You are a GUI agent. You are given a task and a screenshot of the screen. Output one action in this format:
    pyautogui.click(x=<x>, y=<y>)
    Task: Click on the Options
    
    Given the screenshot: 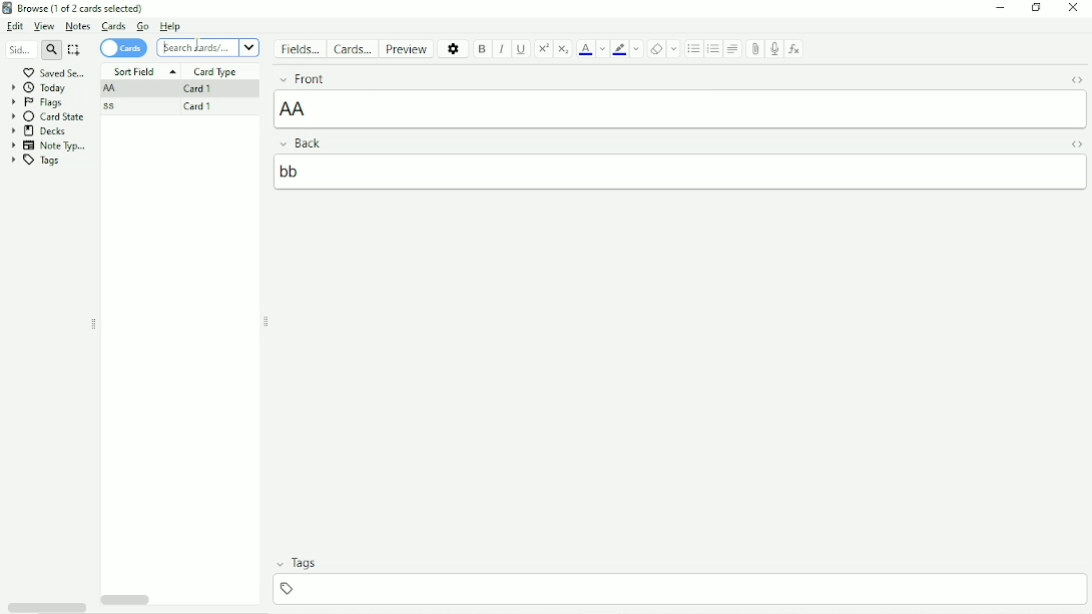 What is the action you would take?
    pyautogui.click(x=454, y=48)
    